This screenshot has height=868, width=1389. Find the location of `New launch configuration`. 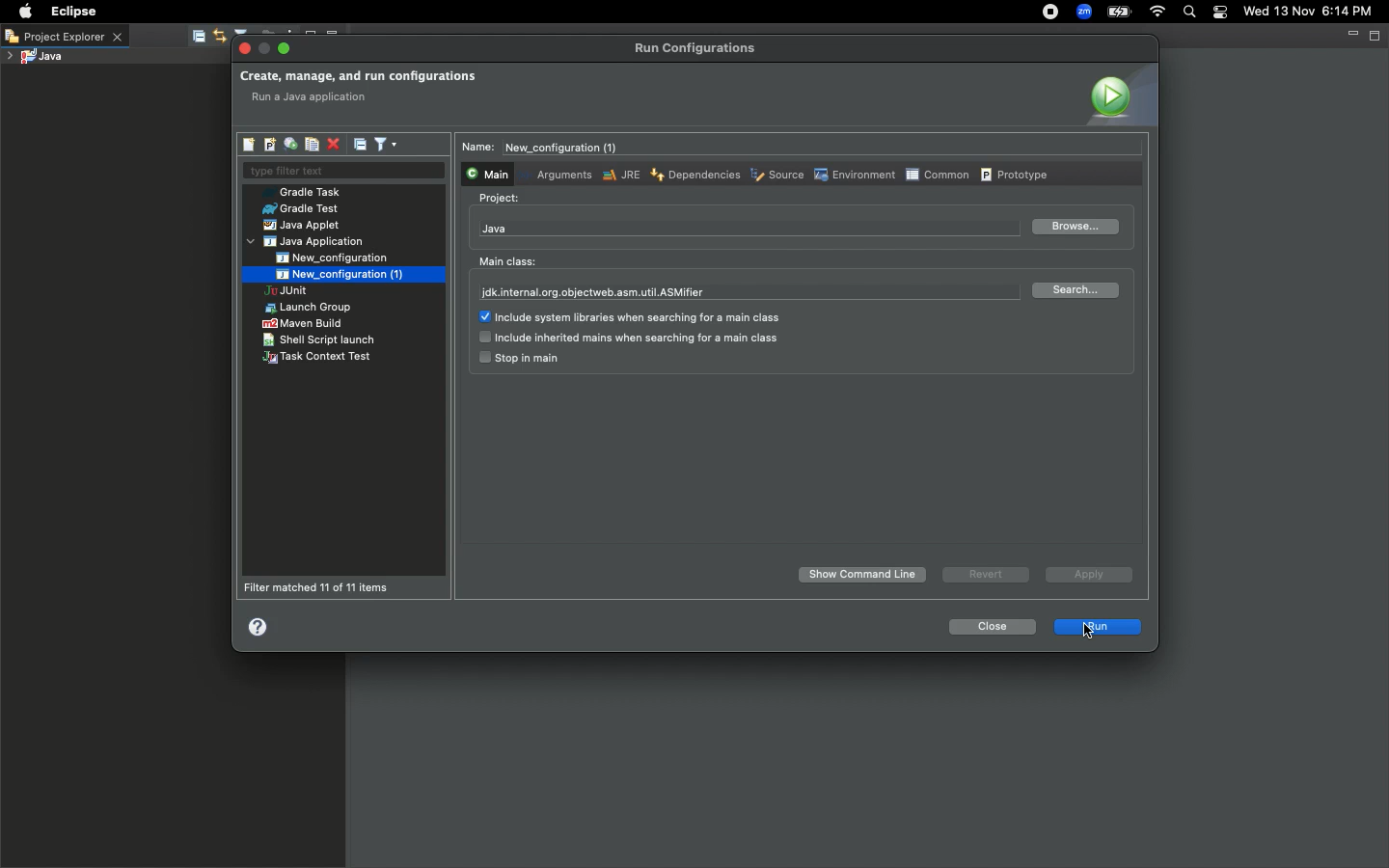

New launch configuration is located at coordinates (250, 145).